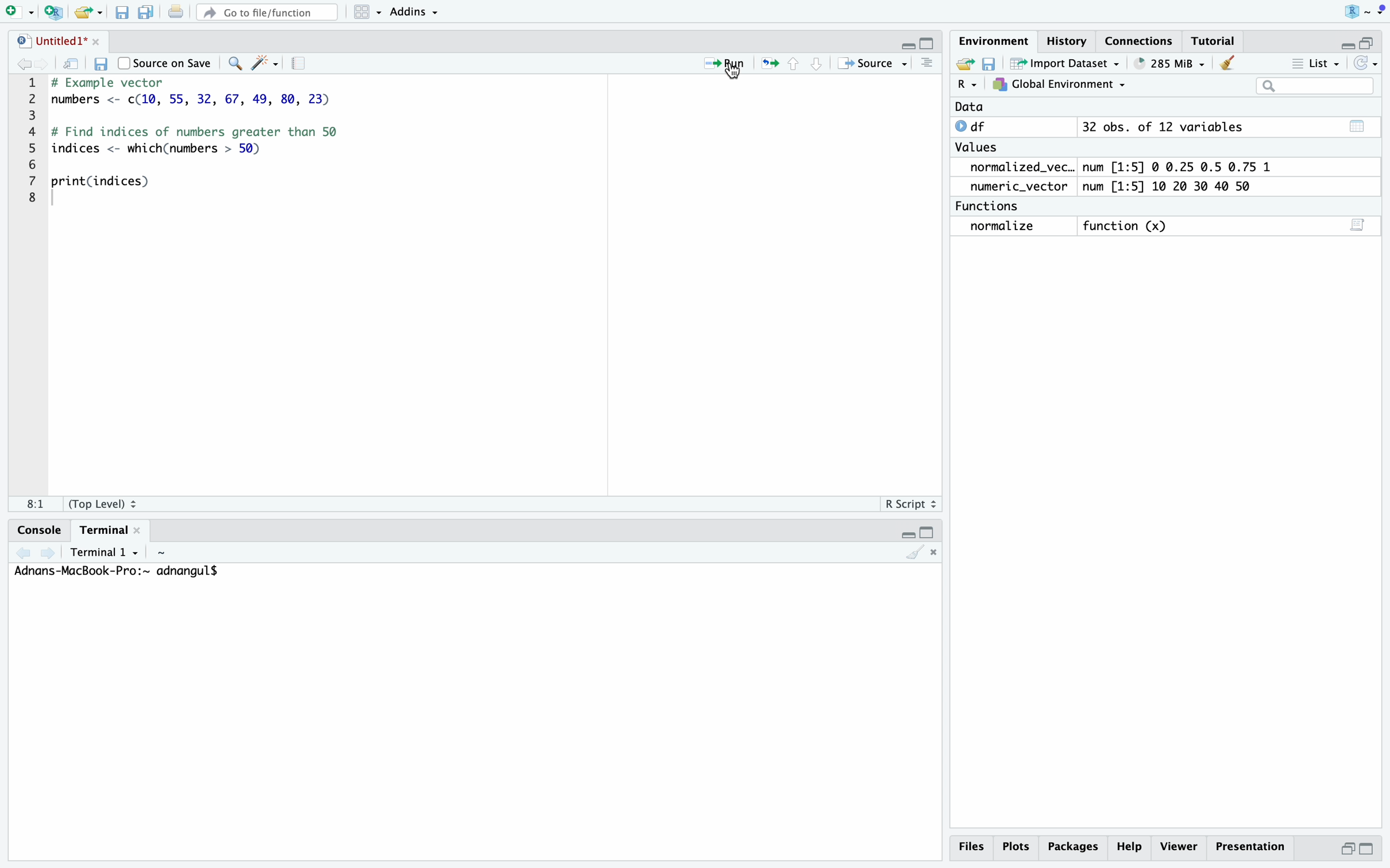 Image resolution: width=1390 pixels, height=868 pixels. What do you see at coordinates (817, 63) in the screenshot?
I see `go to next section` at bounding box center [817, 63].